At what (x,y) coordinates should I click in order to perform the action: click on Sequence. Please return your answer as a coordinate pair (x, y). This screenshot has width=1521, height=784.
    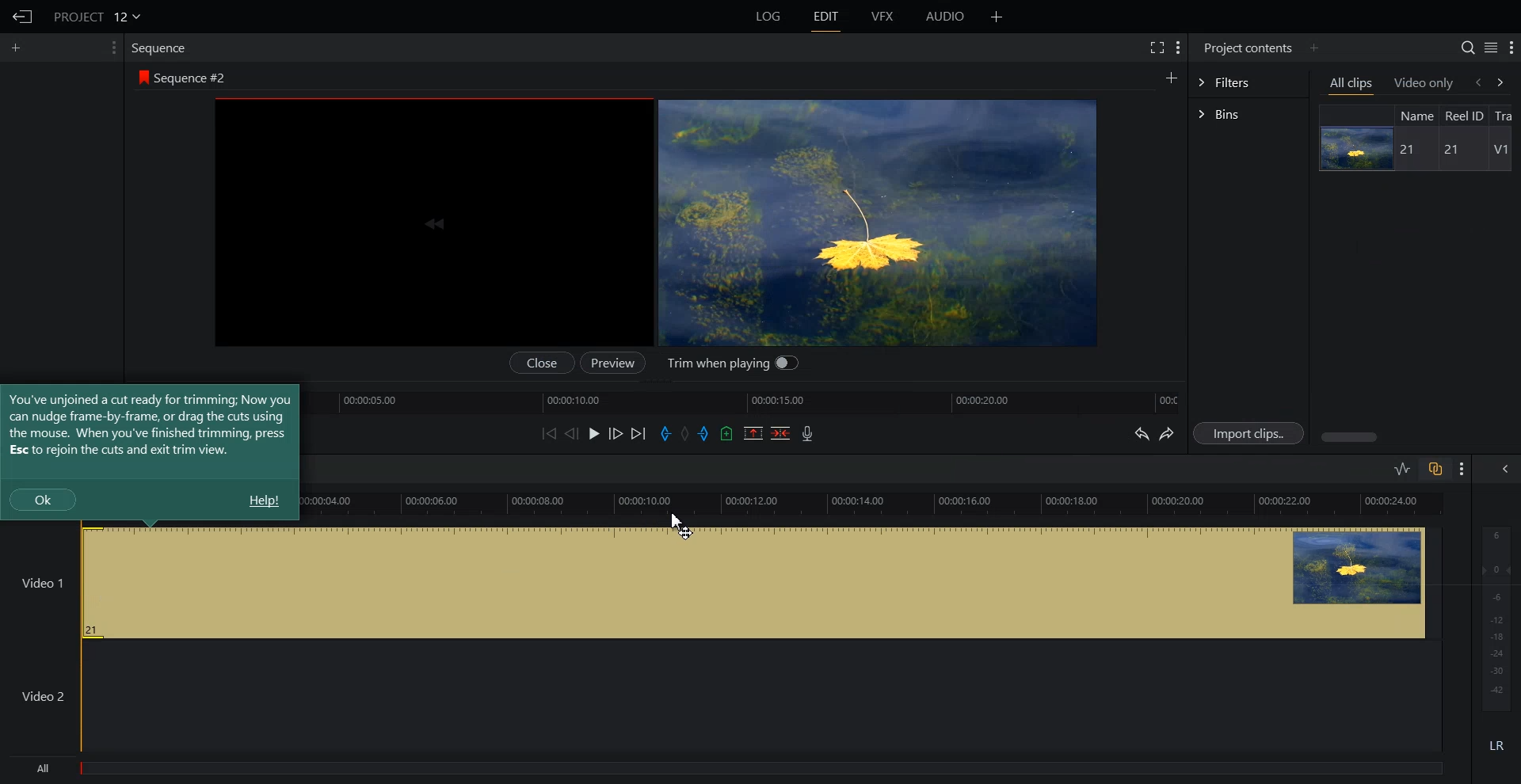
    Looking at the image, I should click on (162, 49).